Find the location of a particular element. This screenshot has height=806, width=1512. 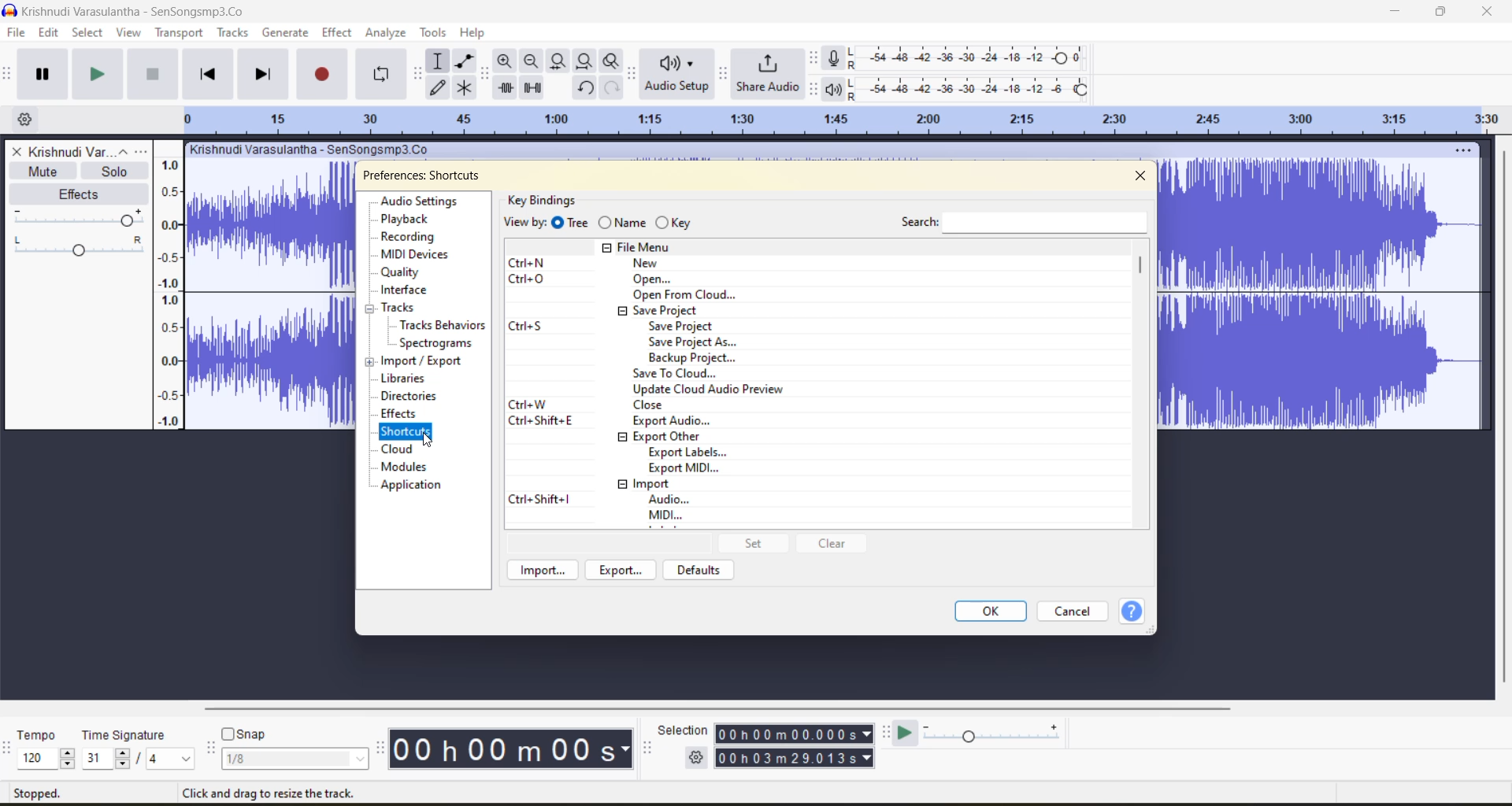

selection is located at coordinates (680, 729).